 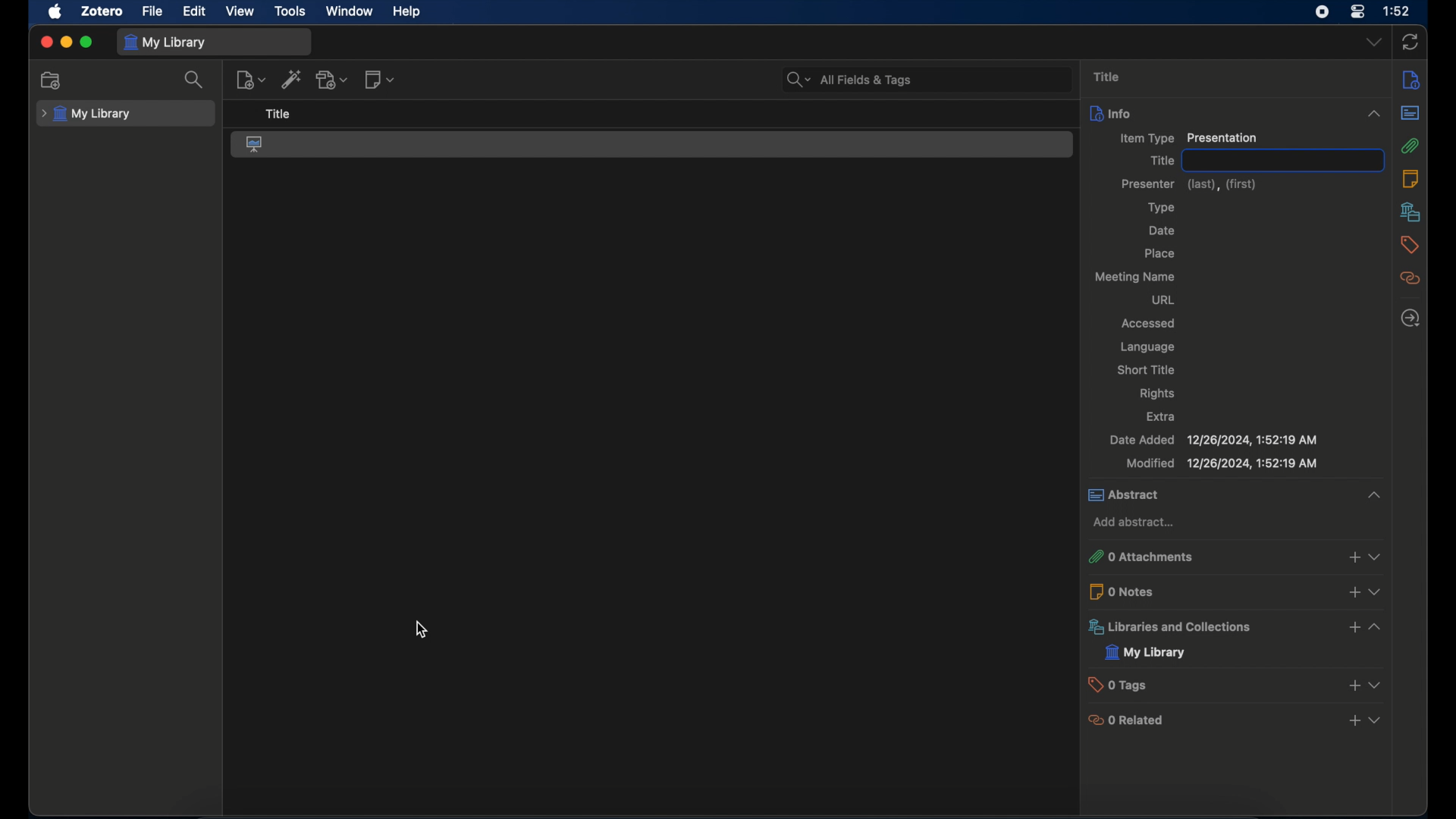 What do you see at coordinates (1235, 591) in the screenshot?
I see `0 notes` at bounding box center [1235, 591].